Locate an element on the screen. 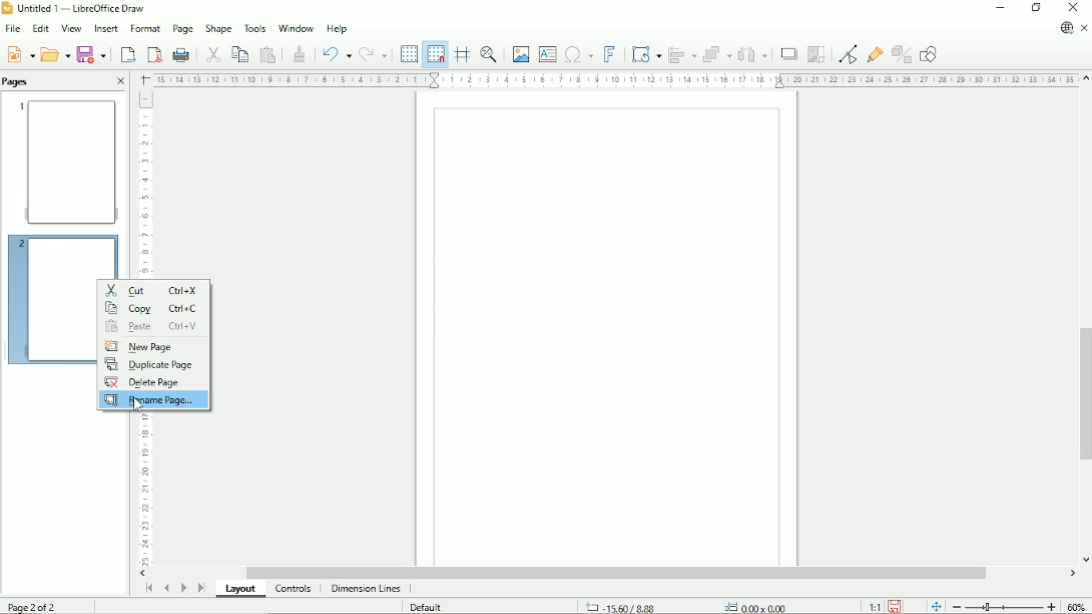 This screenshot has width=1092, height=614. Duplicate page is located at coordinates (152, 365).